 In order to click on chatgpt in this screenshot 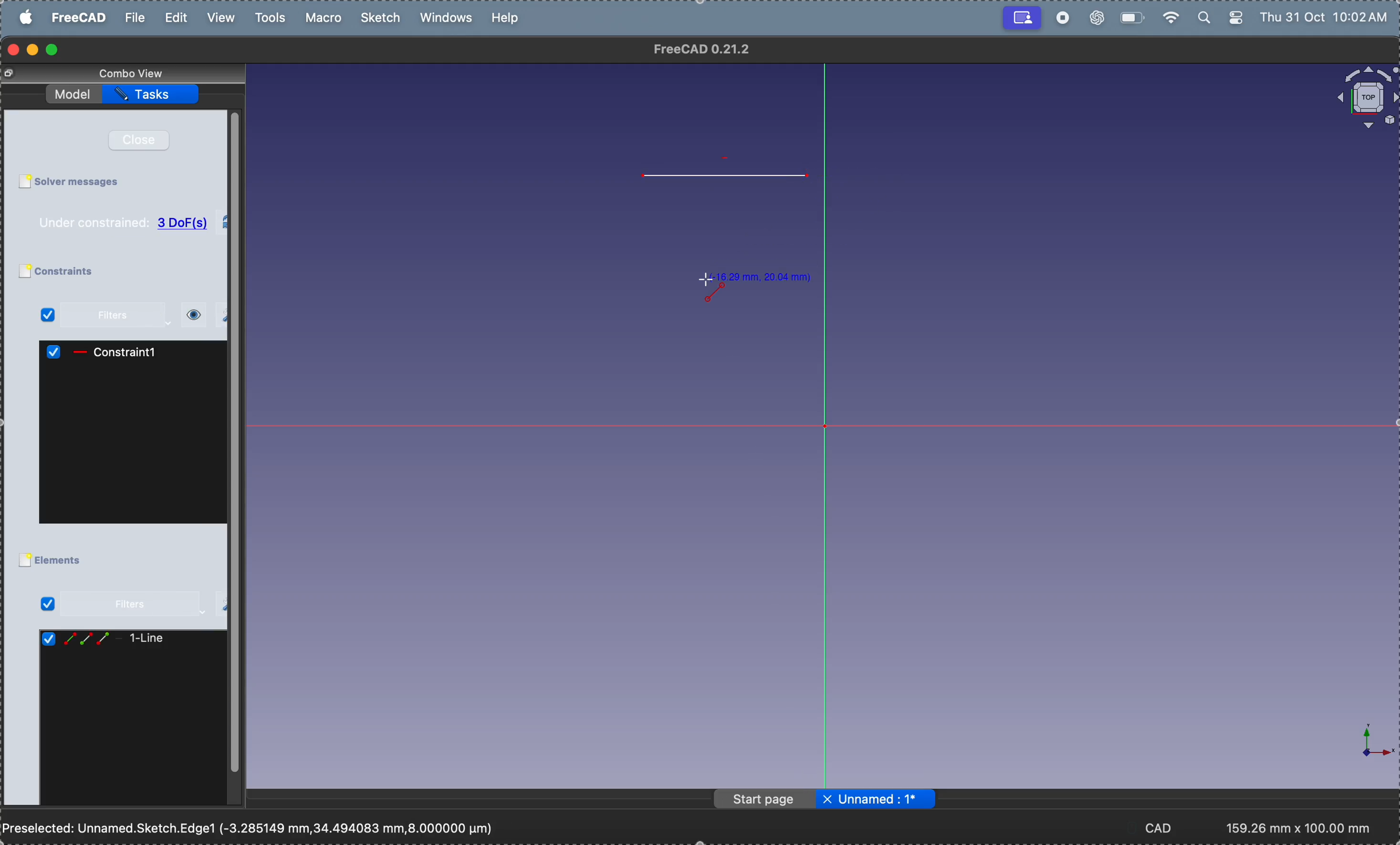, I will do `click(1095, 19)`.